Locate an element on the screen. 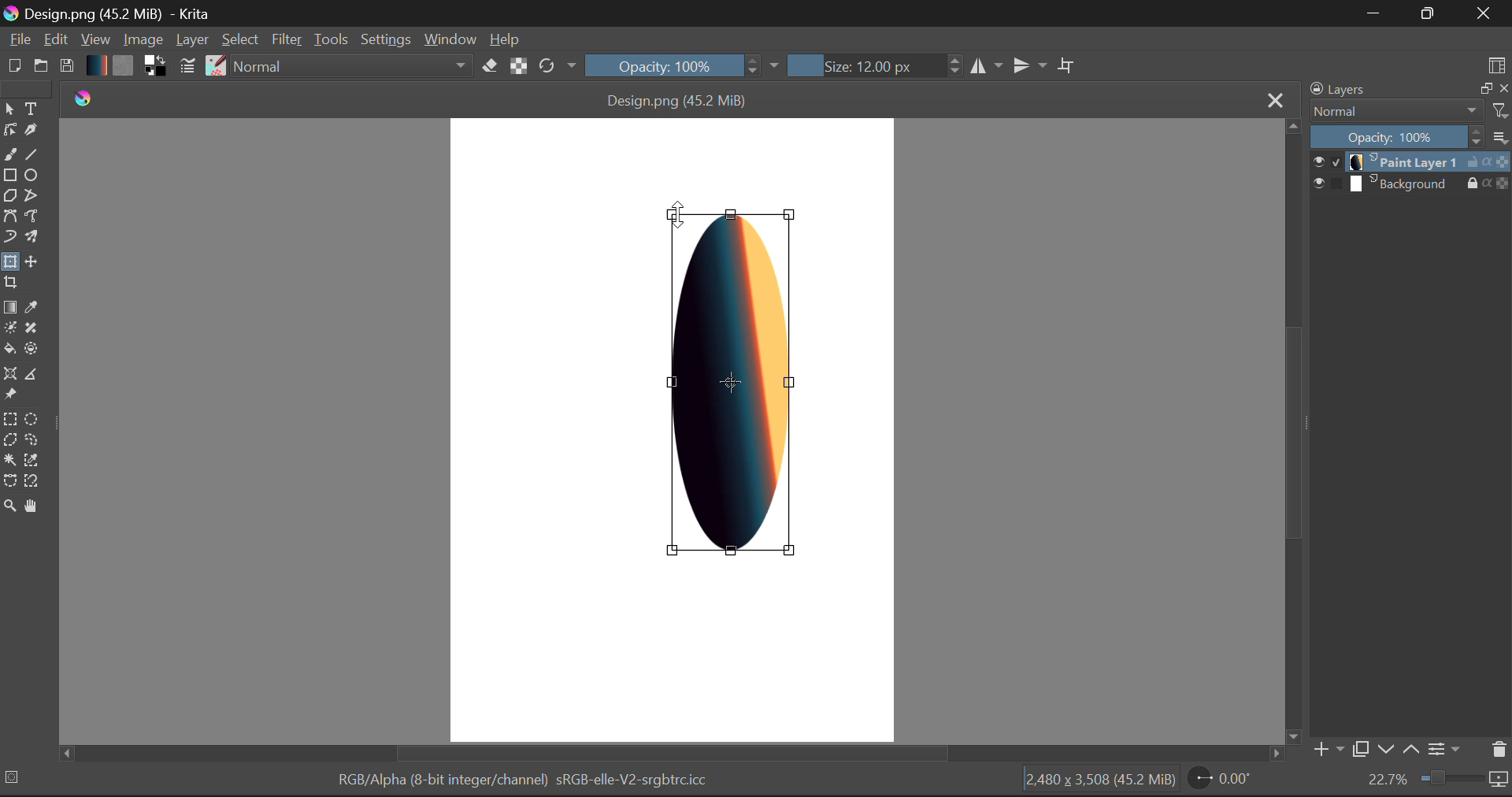 Image resolution: width=1512 pixels, height=797 pixels. Colorize Mask Tool is located at coordinates (9, 328).